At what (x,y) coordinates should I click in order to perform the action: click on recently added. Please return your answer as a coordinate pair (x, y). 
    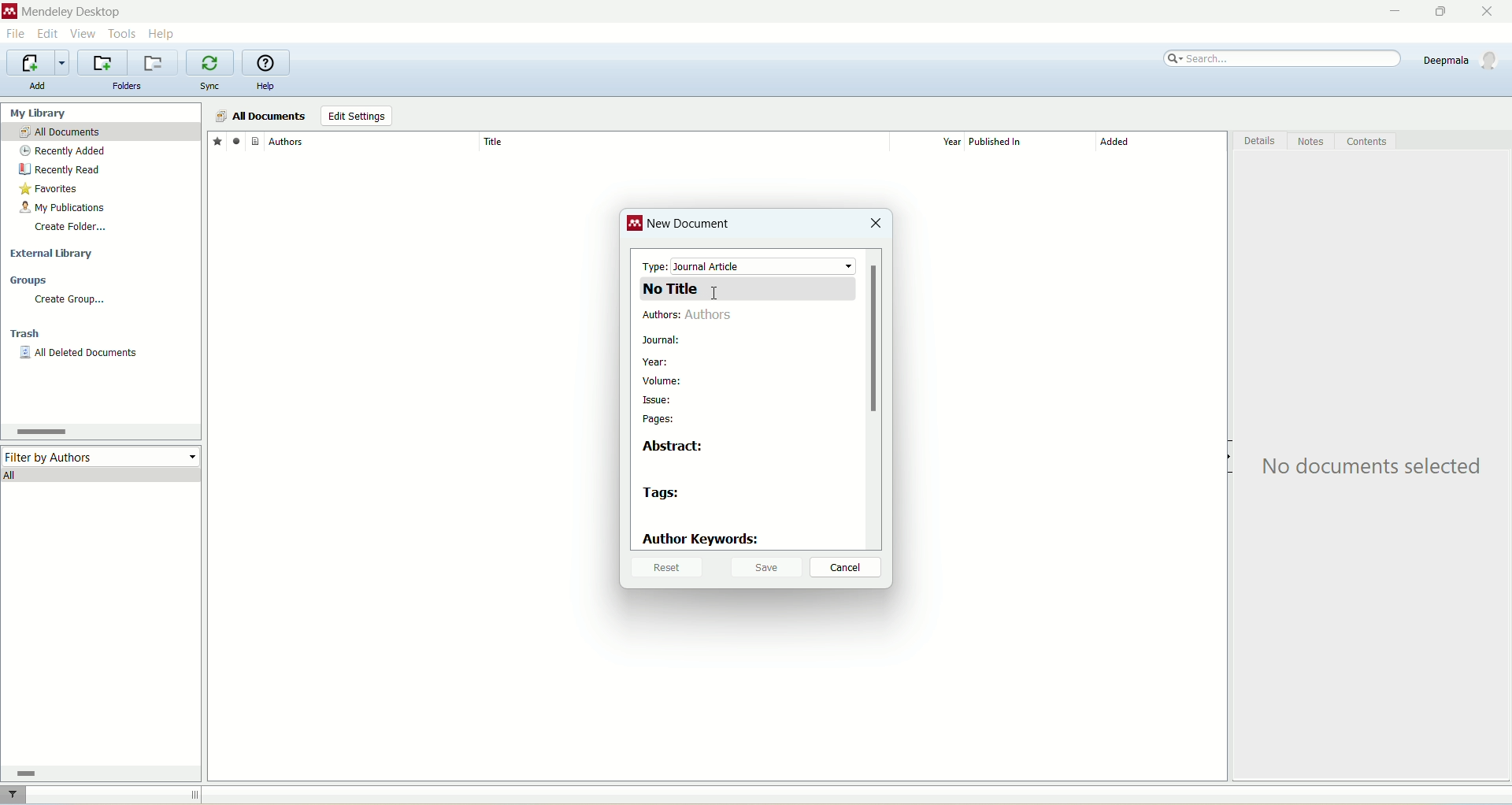
    Looking at the image, I should click on (63, 151).